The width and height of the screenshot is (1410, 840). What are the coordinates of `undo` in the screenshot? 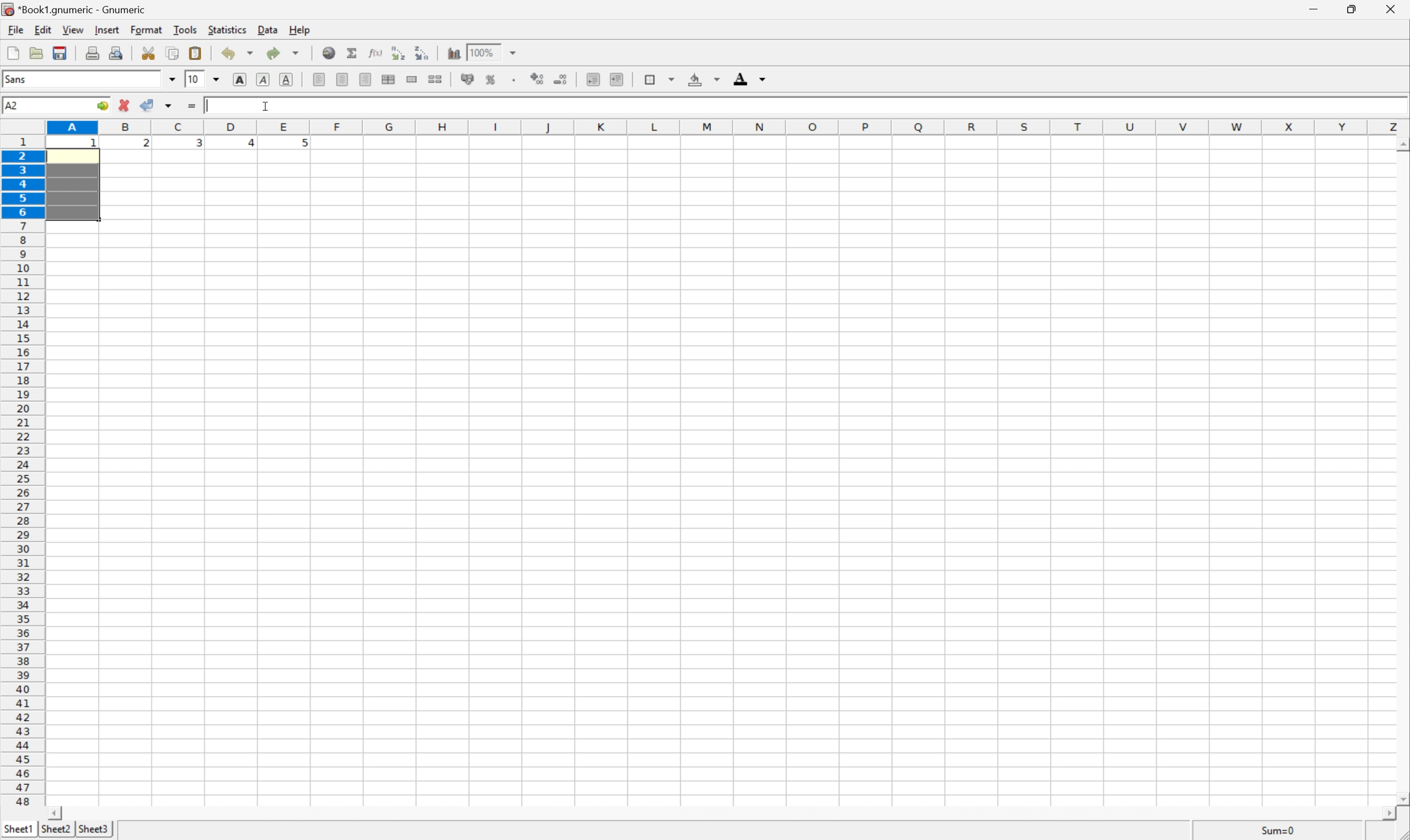 It's located at (238, 52).